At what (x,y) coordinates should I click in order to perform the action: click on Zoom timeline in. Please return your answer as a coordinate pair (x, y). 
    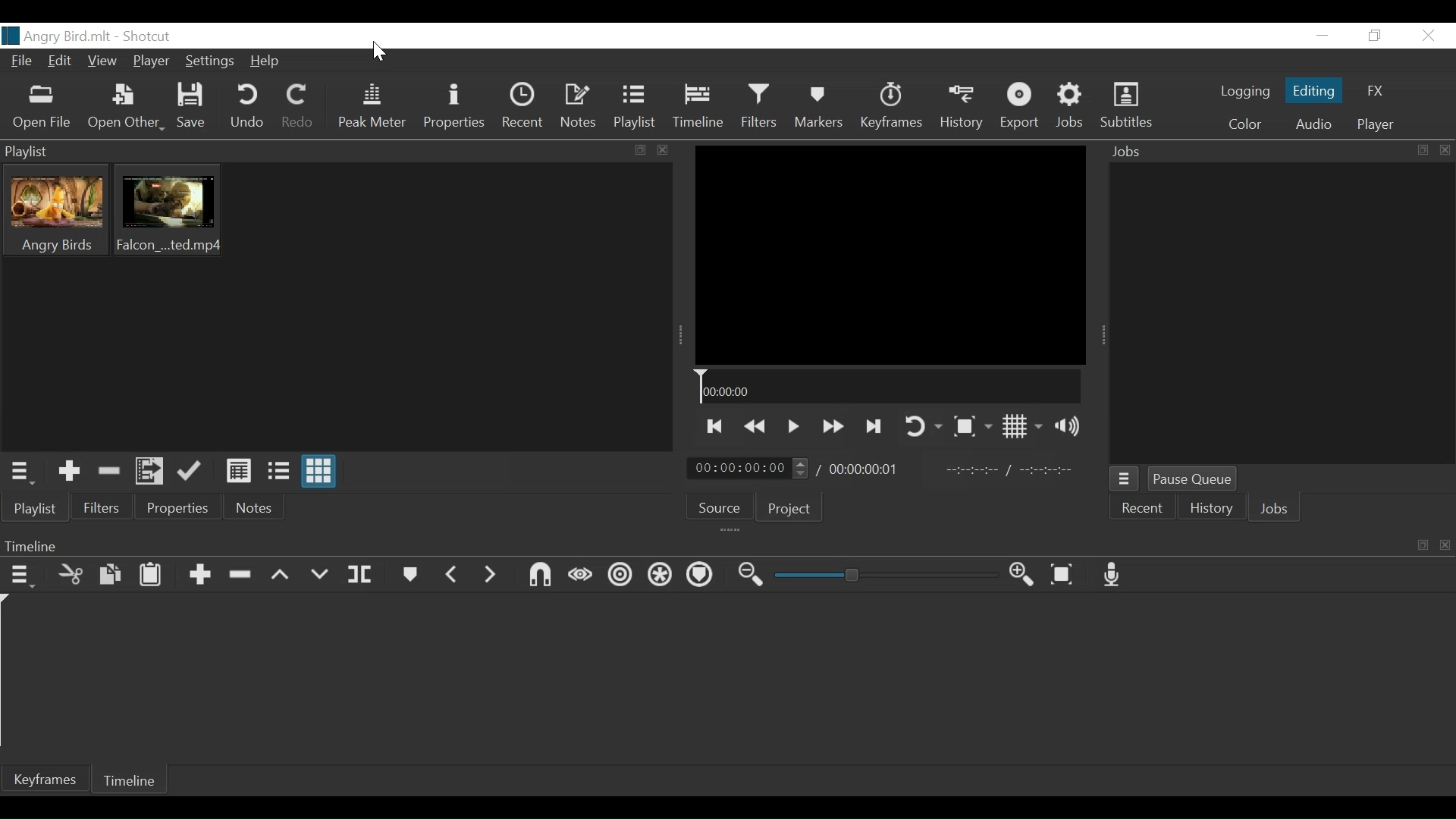
    Looking at the image, I should click on (1025, 576).